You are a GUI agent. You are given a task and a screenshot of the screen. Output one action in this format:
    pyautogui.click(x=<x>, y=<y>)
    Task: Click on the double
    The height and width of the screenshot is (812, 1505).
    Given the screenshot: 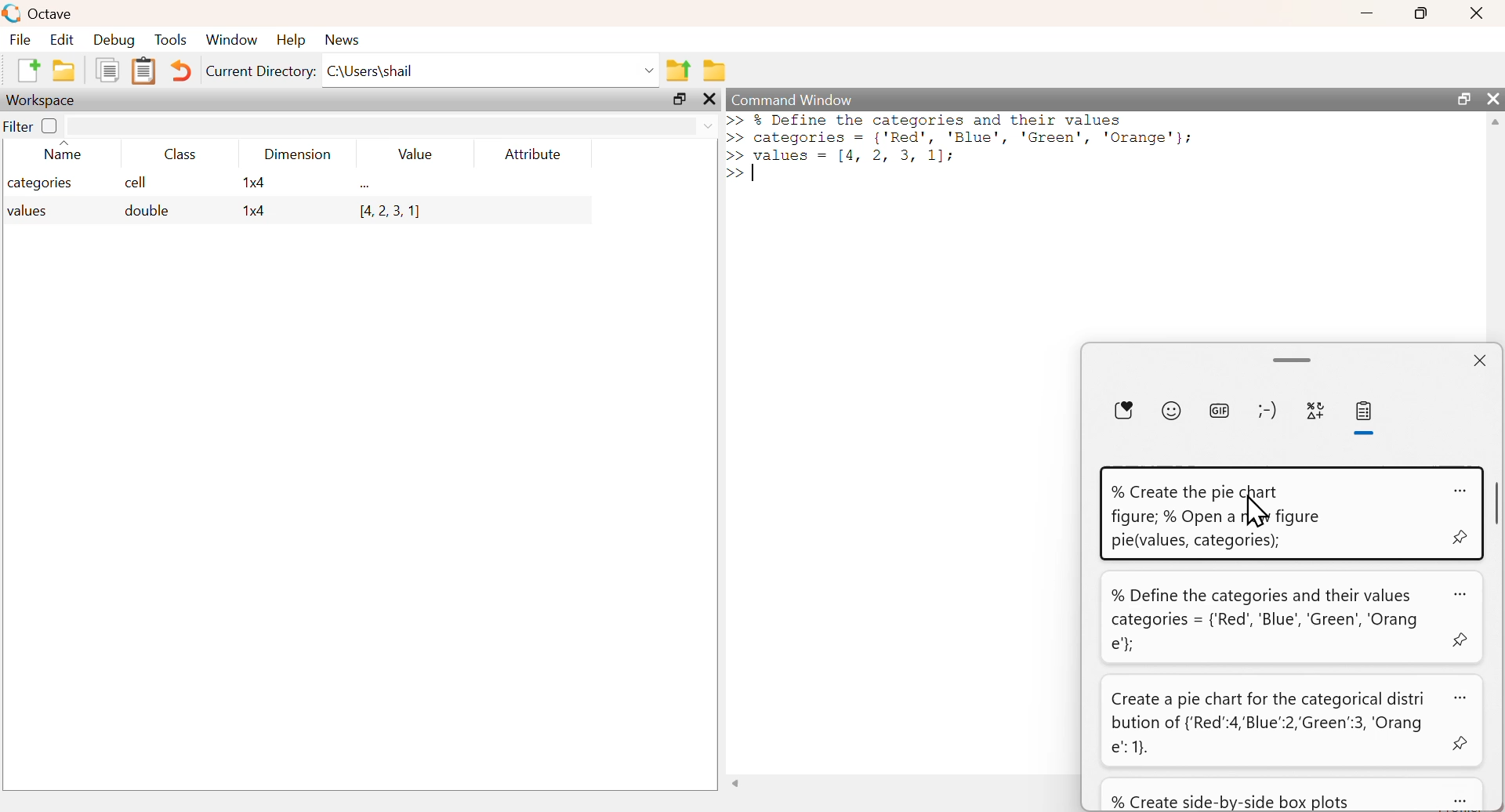 What is the action you would take?
    pyautogui.click(x=147, y=210)
    